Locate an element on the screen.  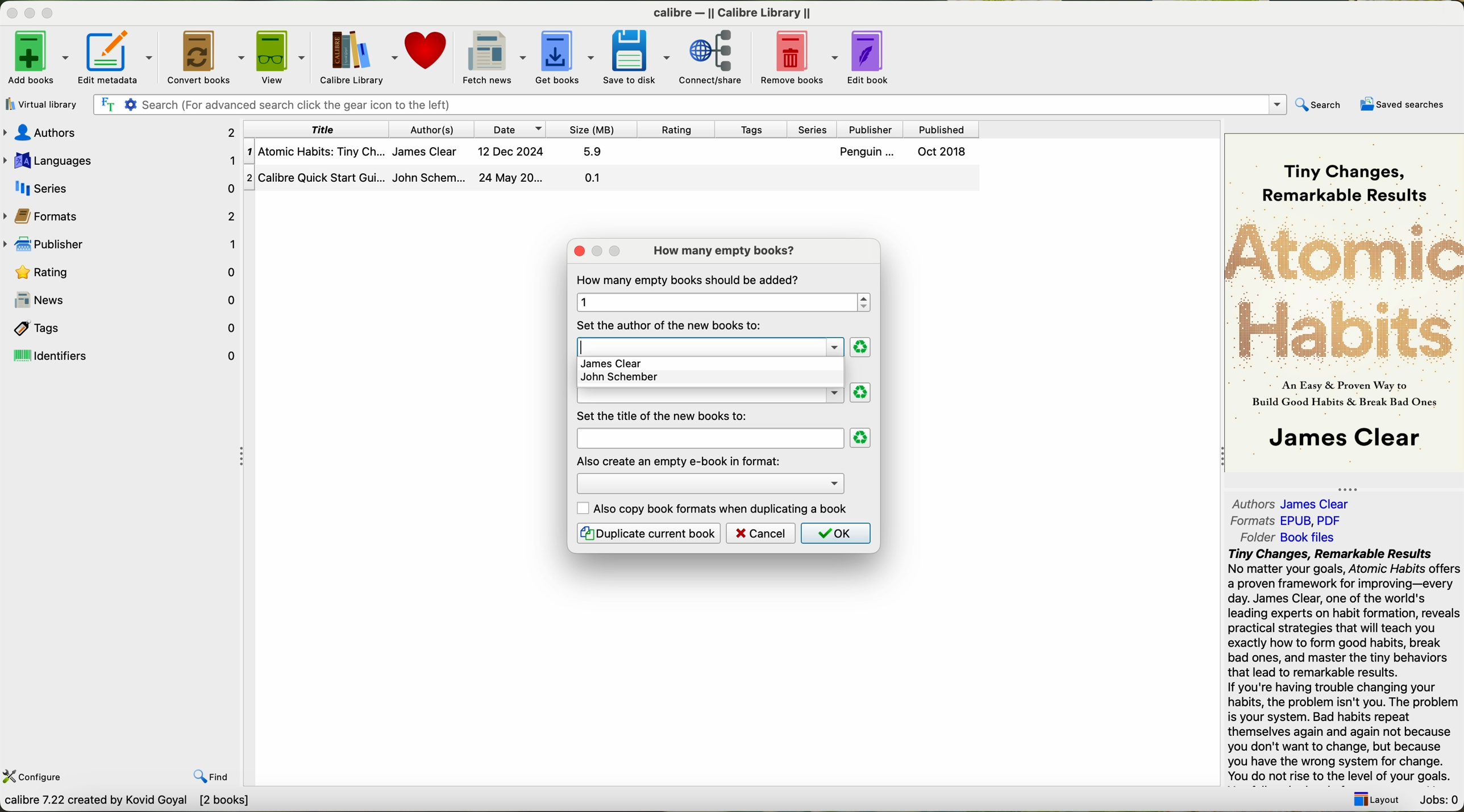
configure is located at coordinates (35, 777).